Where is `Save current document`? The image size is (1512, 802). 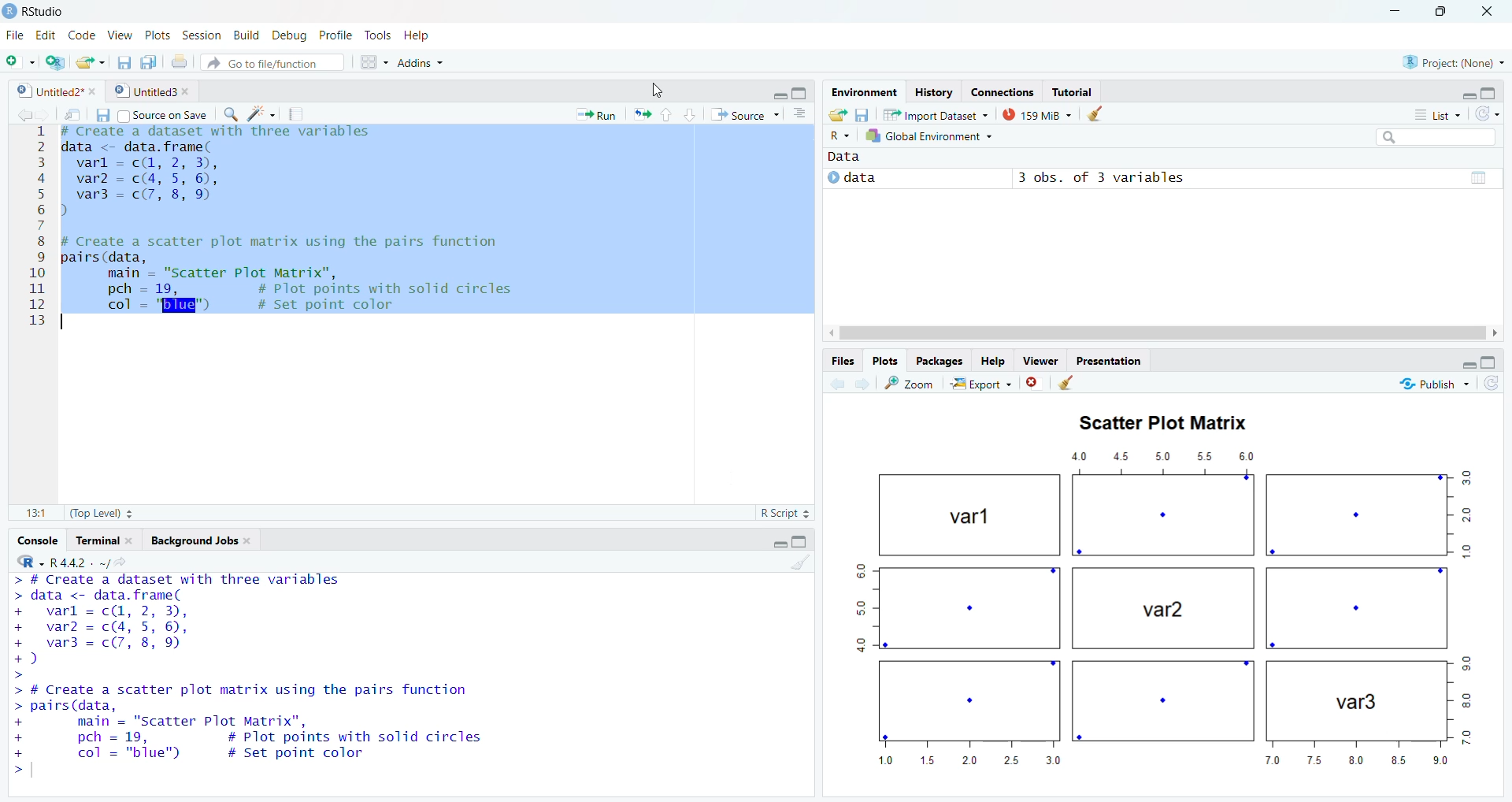 Save current document is located at coordinates (124, 60).